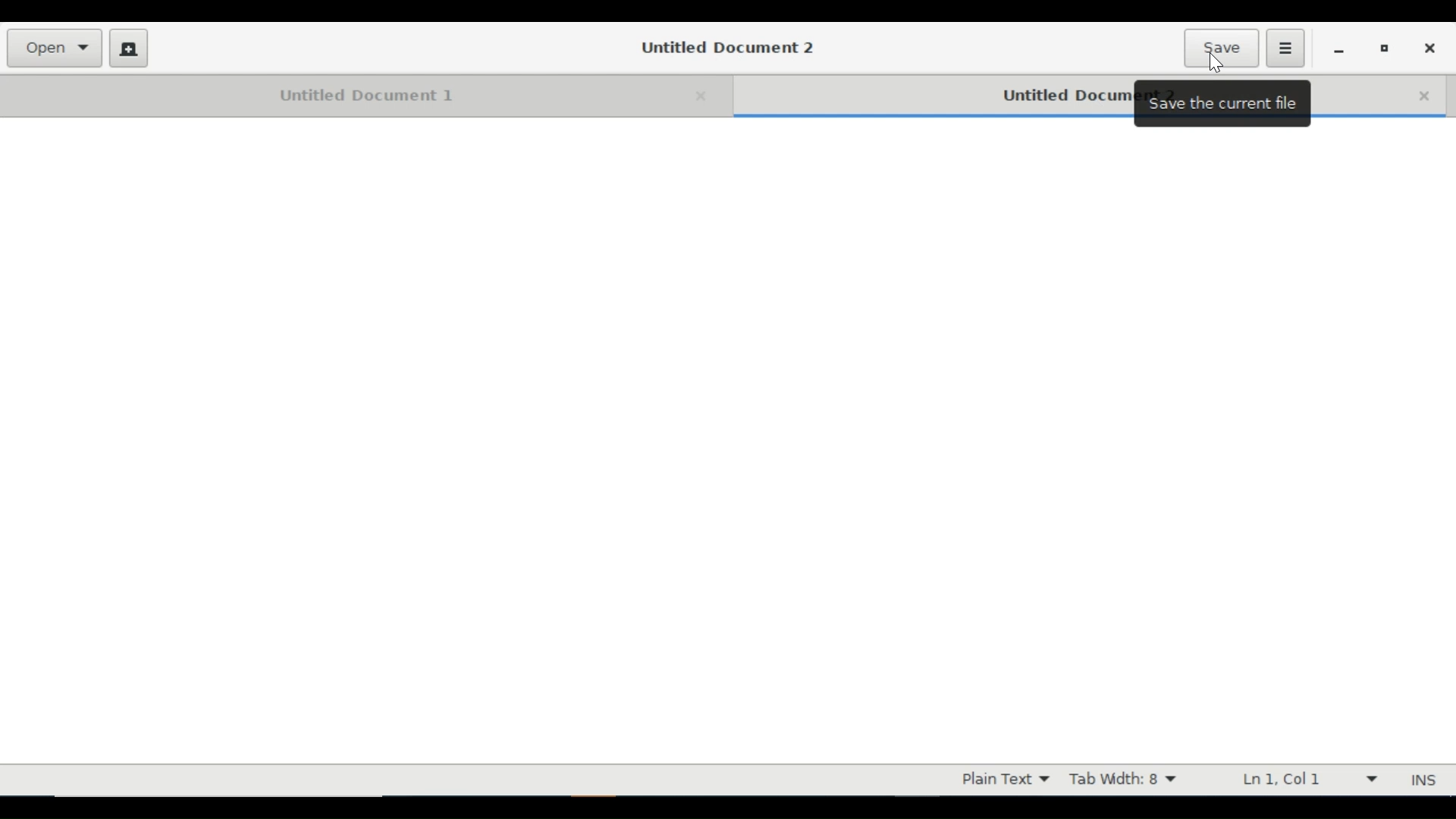 This screenshot has width=1456, height=819. Describe the element at coordinates (1423, 780) in the screenshot. I see `INS` at that location.